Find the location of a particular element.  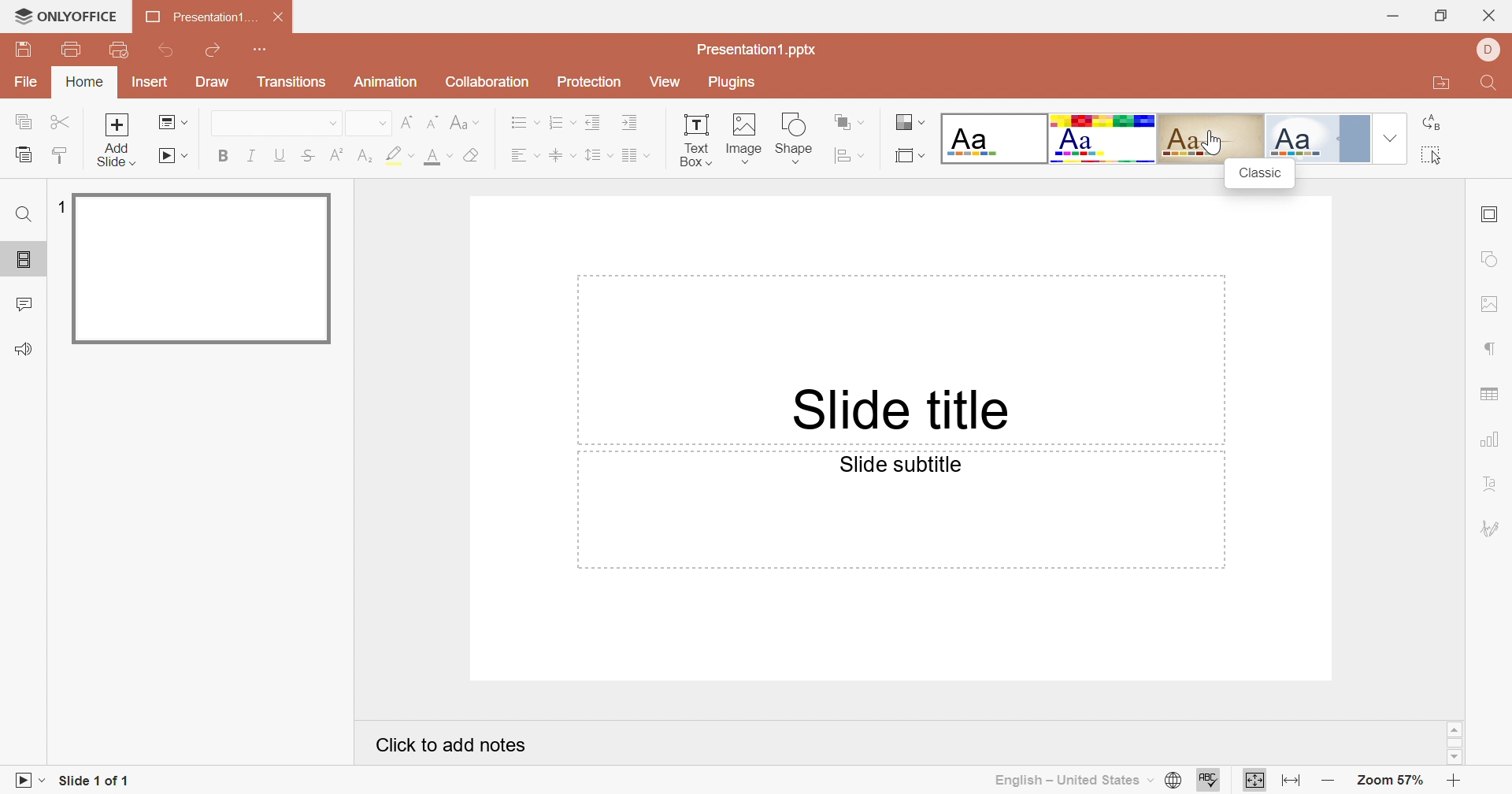

Transitions is located at coordinates (291, 82).